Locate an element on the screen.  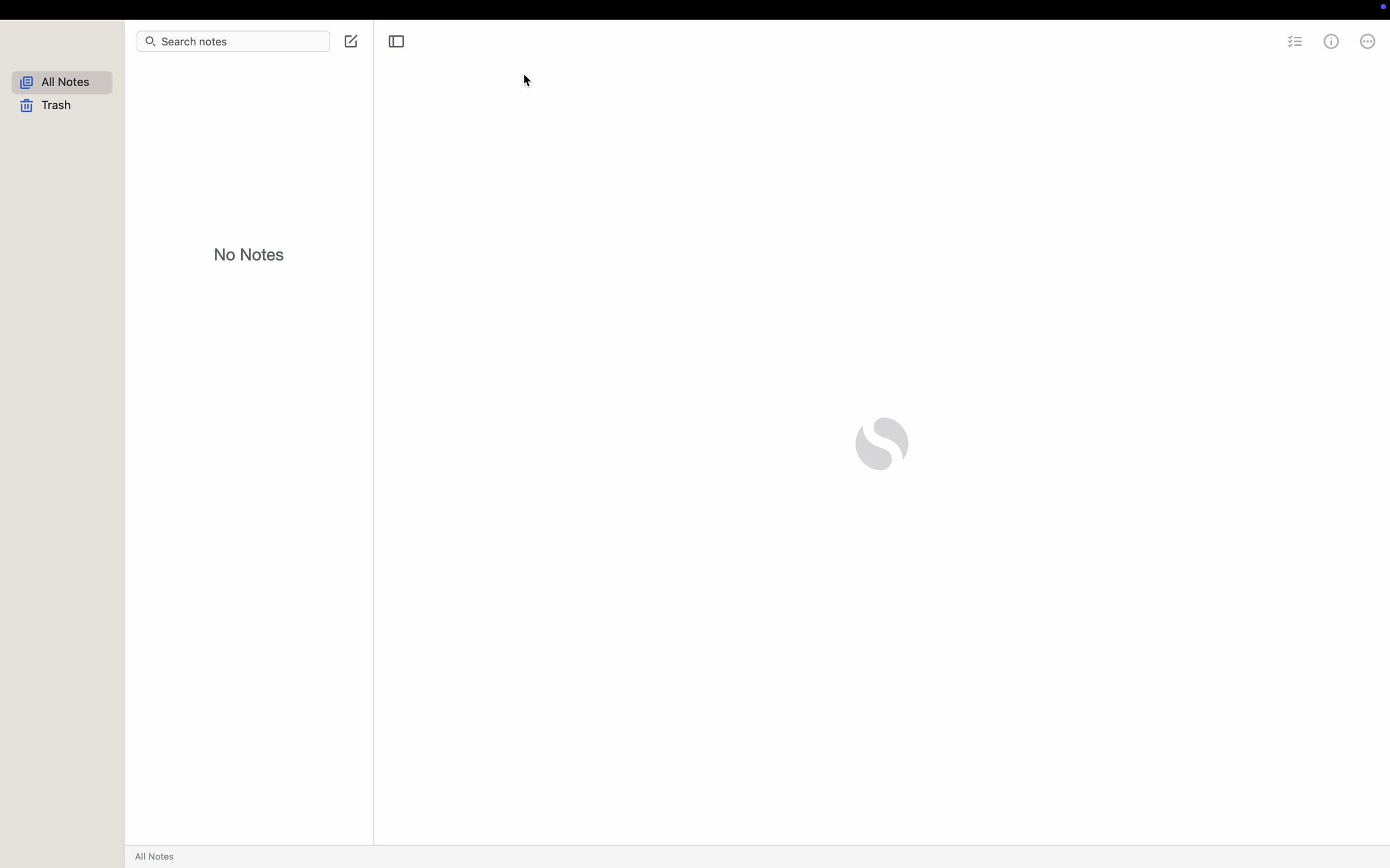
all notes is located at coordinates (63, 82).